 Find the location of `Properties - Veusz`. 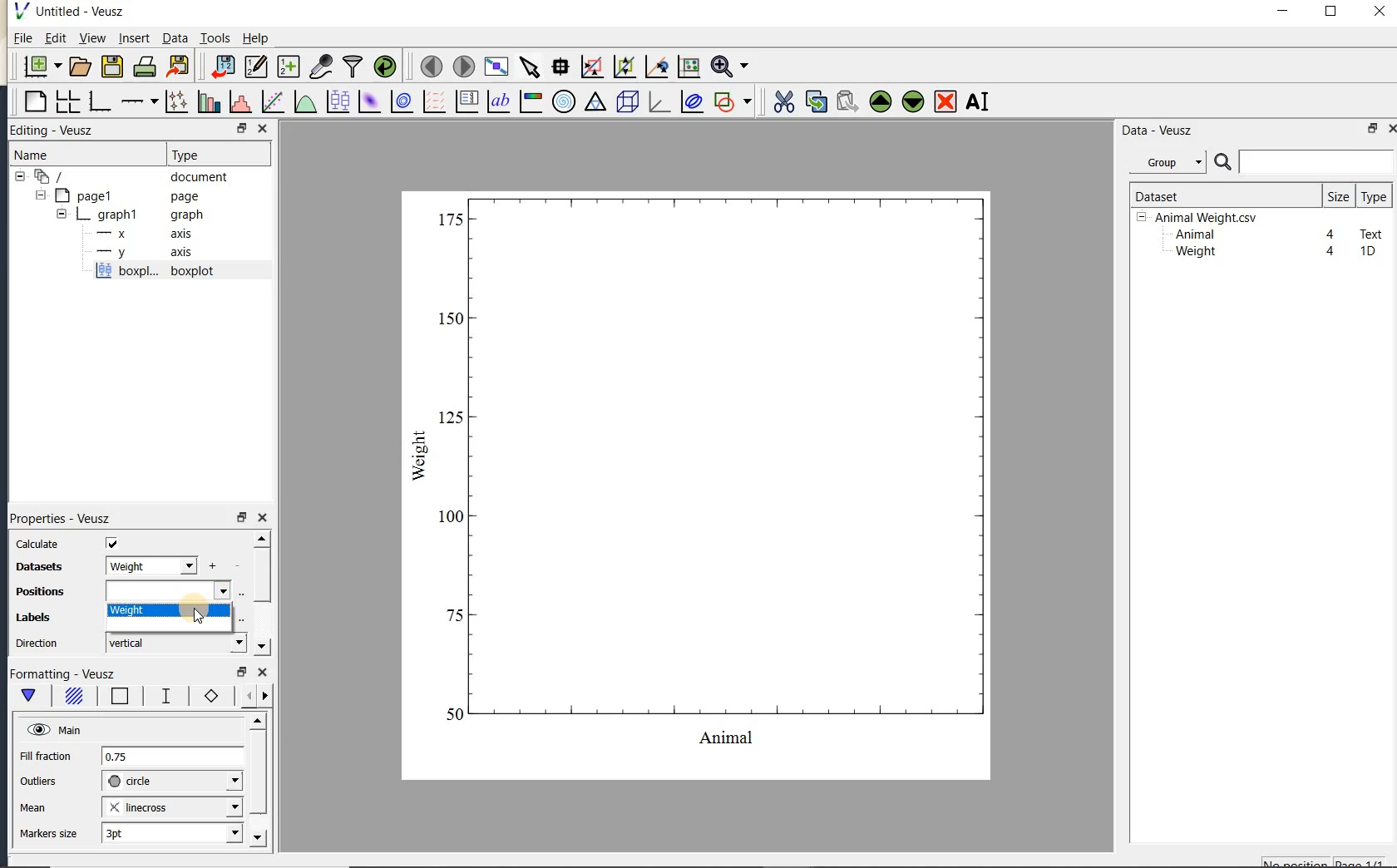

Properties - Veusz is located at coordinates (59, 515).